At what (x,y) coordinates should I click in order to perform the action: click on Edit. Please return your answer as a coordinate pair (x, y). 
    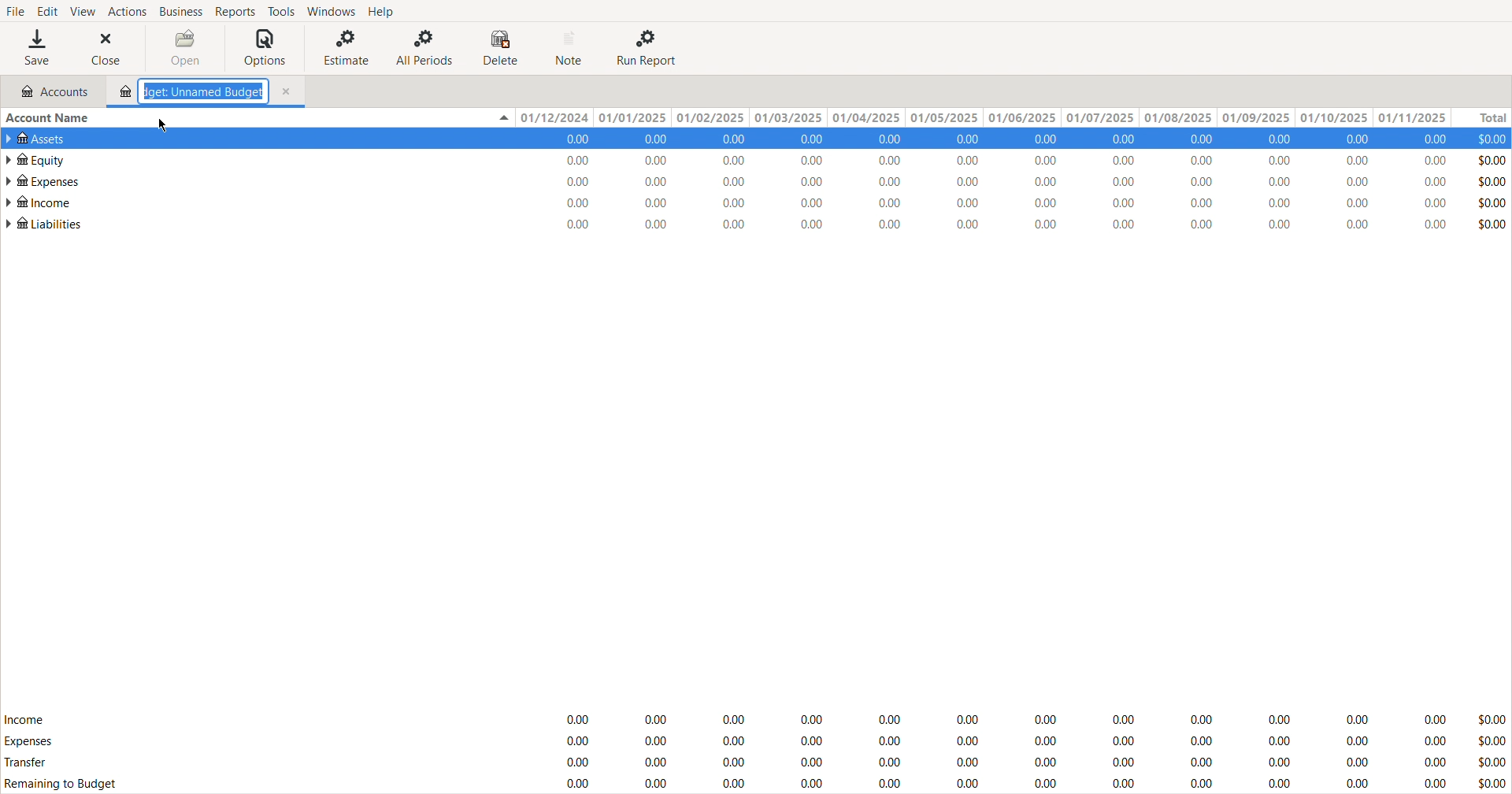
    Looking at the image, I should click on (45, 9).